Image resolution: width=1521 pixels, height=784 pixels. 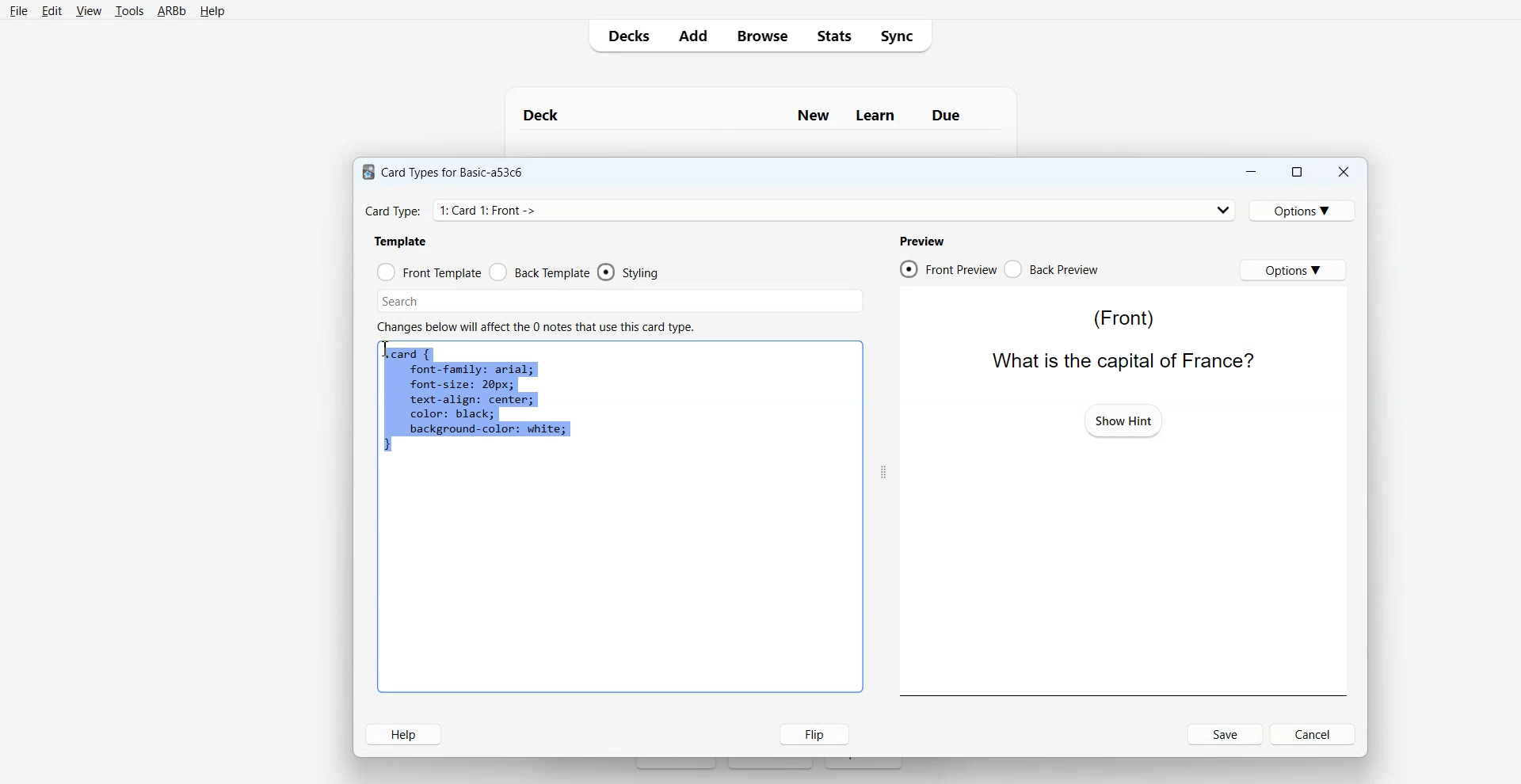 I want to click on Sync, so click(x=902, y=35).